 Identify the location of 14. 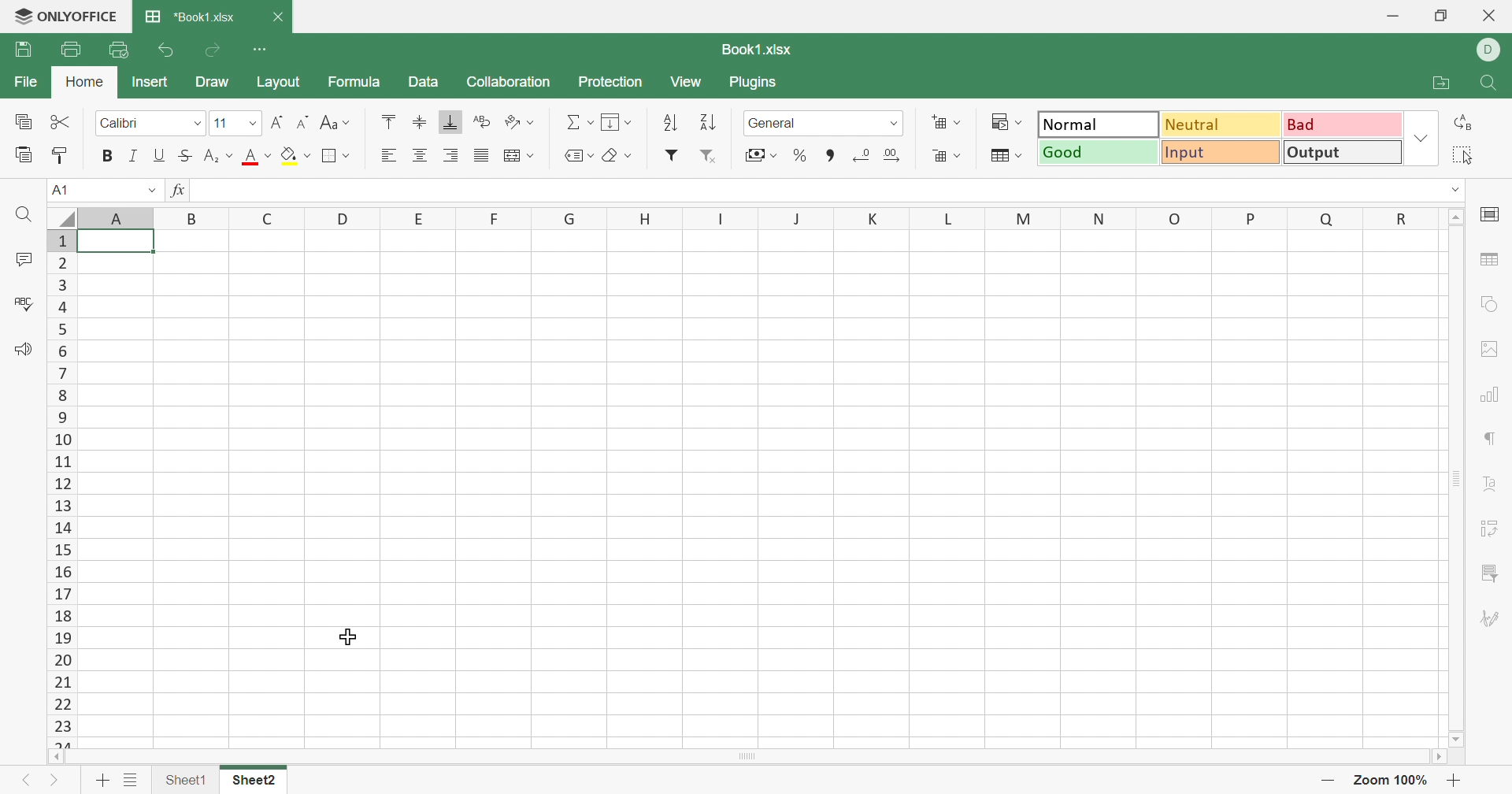
(63, 528).